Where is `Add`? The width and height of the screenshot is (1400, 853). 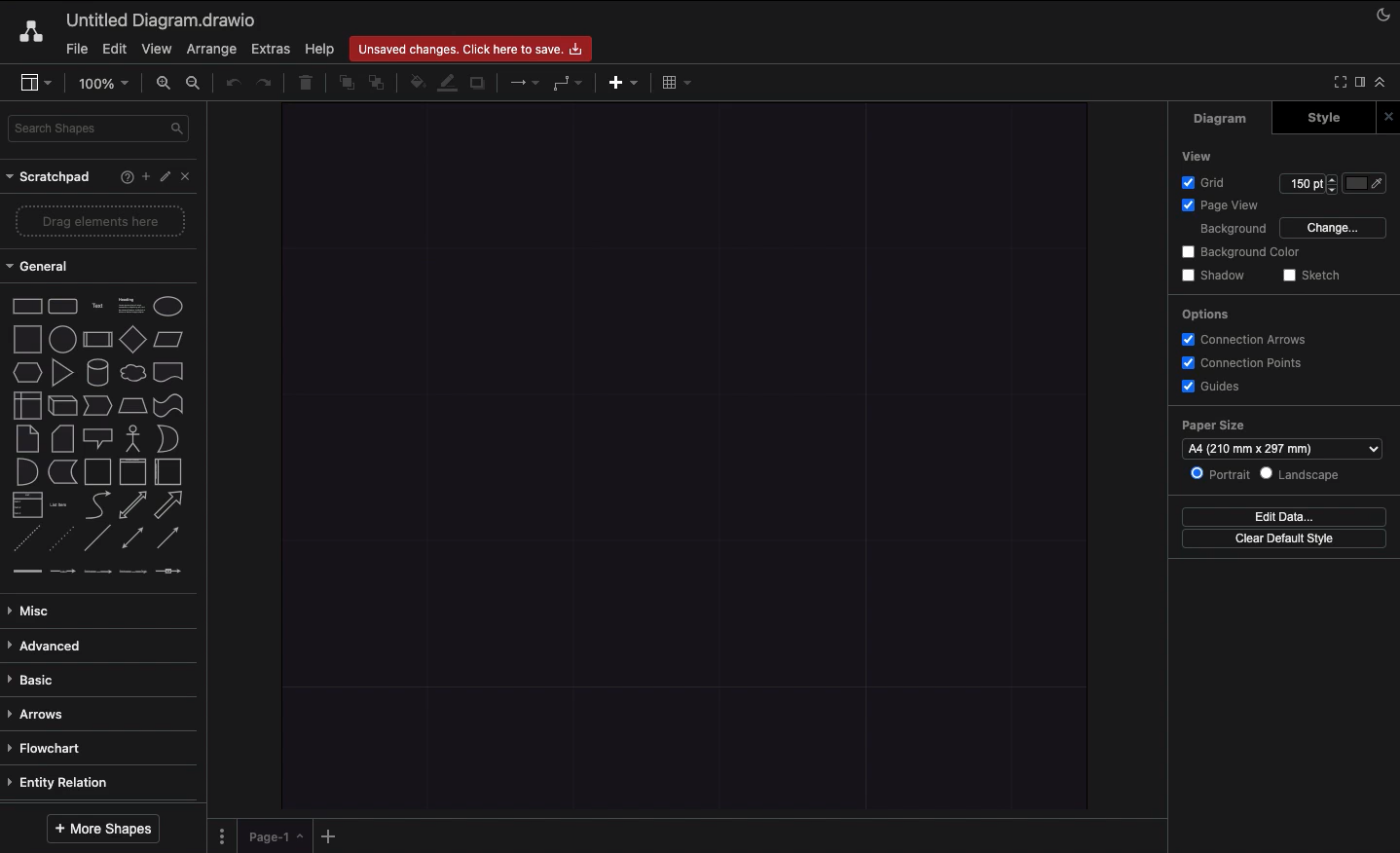
Add is located at coordinates (142, 176).